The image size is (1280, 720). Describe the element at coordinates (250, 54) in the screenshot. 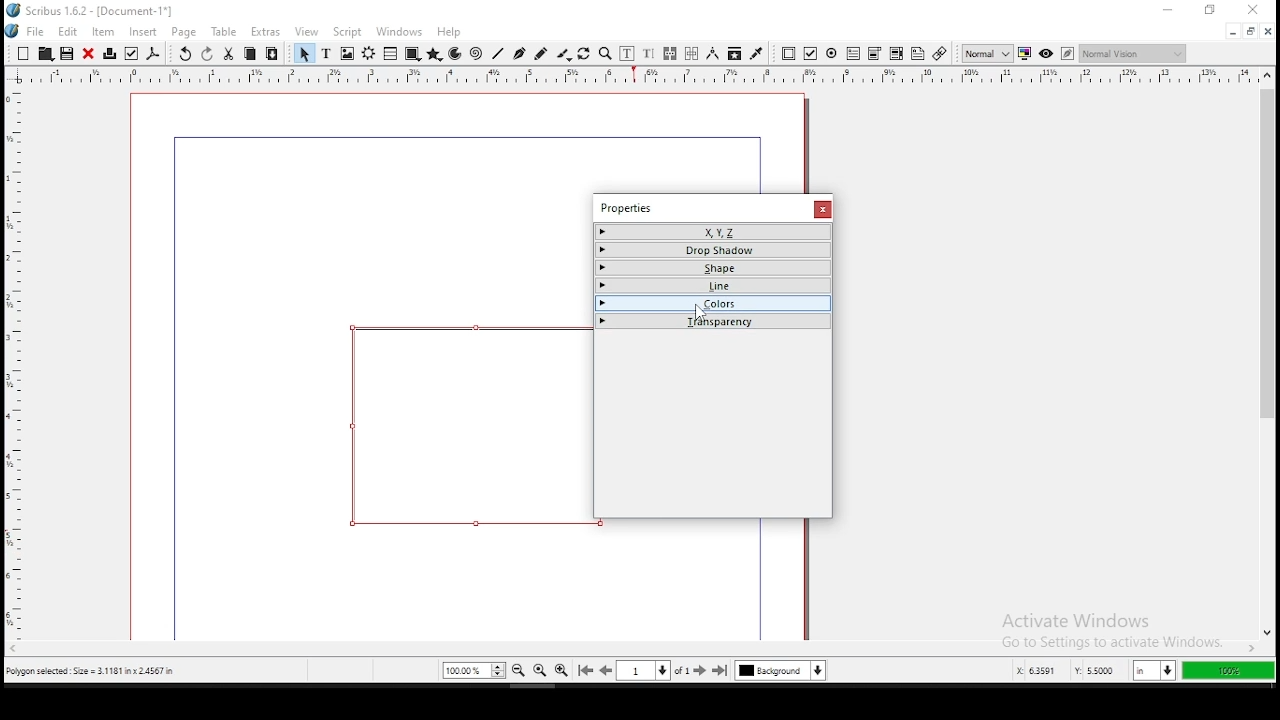

I see `copy` at that location.